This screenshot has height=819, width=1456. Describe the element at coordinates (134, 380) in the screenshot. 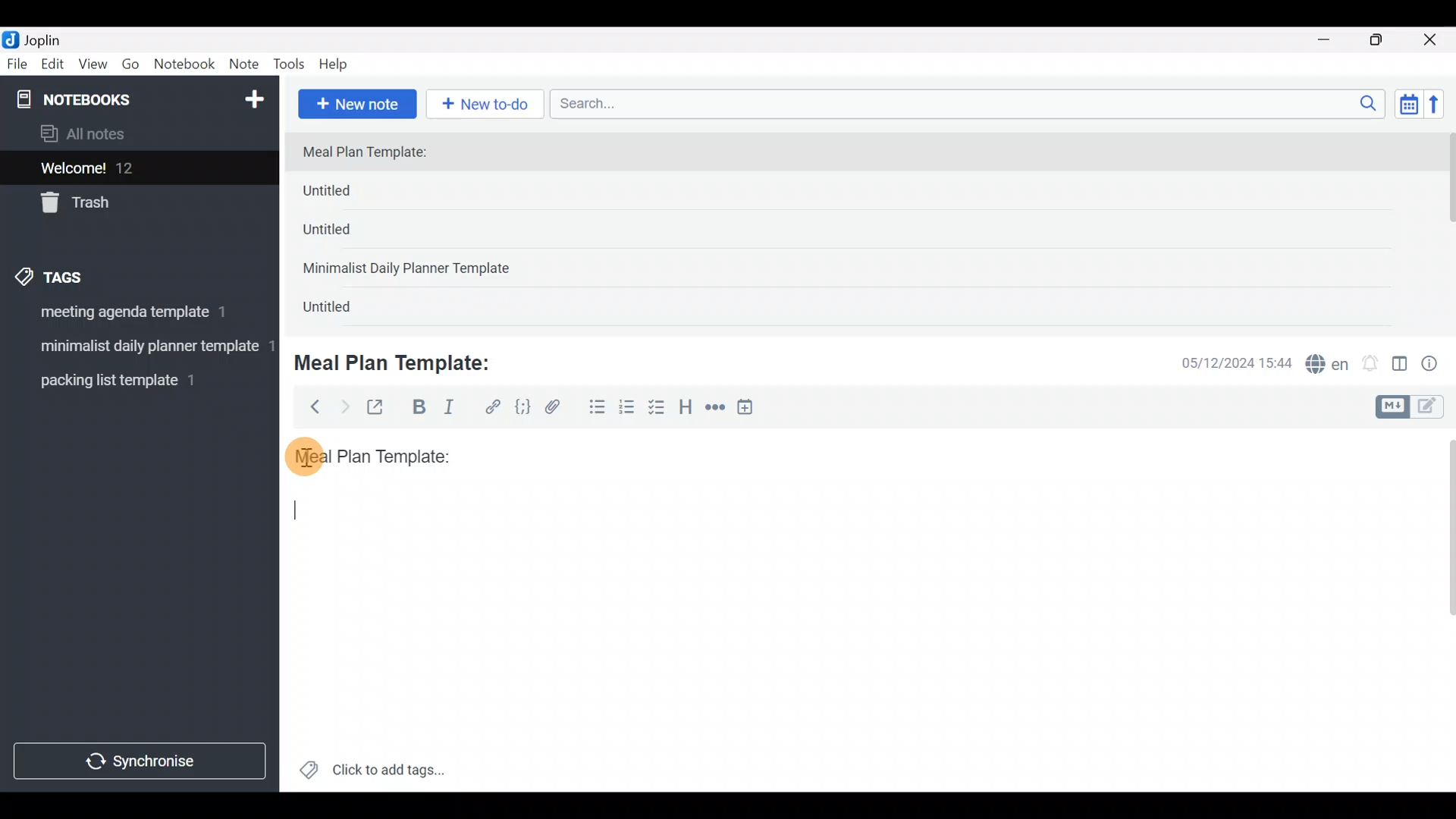

I see `Tag 3` at that location.